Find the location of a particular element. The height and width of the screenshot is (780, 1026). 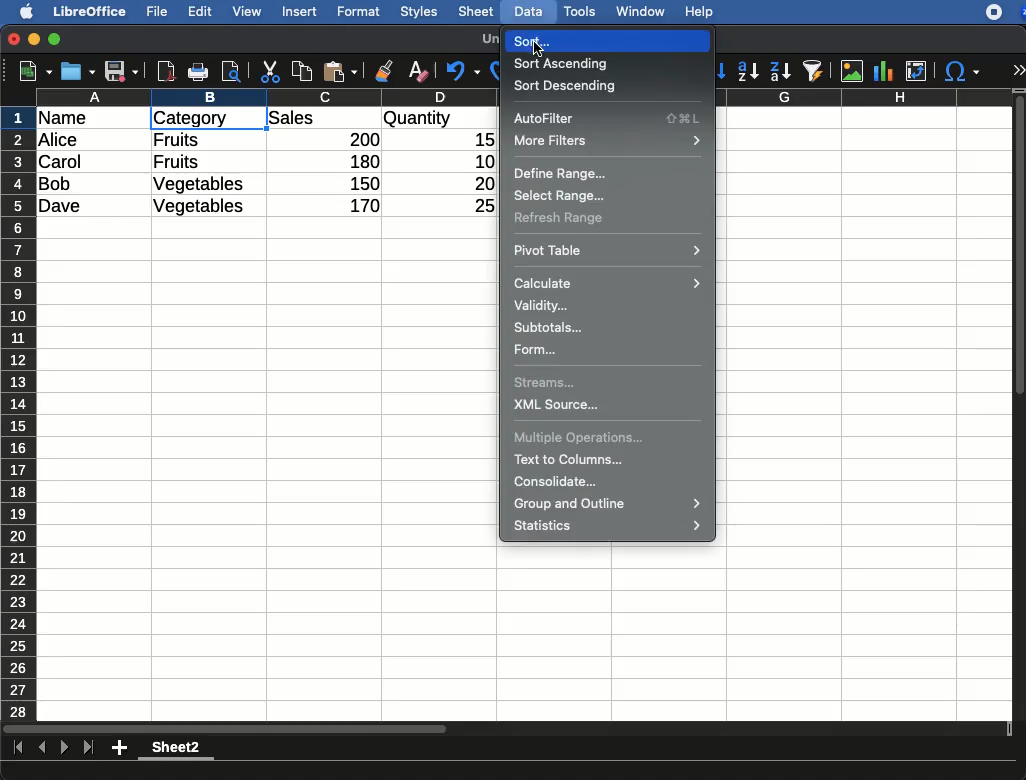

Alice is located at coordinates (60, 141).